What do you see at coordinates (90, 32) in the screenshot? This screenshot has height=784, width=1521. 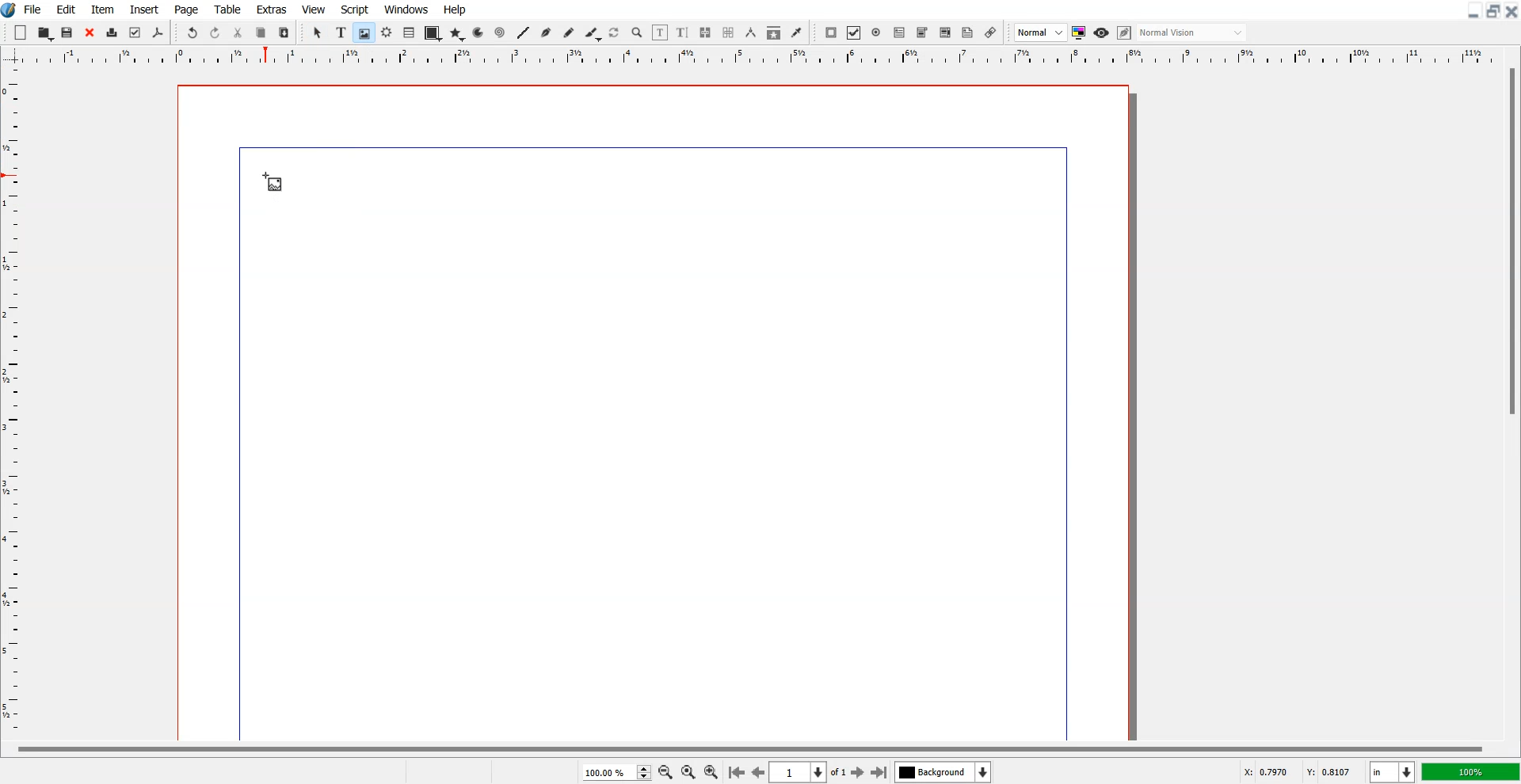 I see `Close` at bounding box center [90, 32].